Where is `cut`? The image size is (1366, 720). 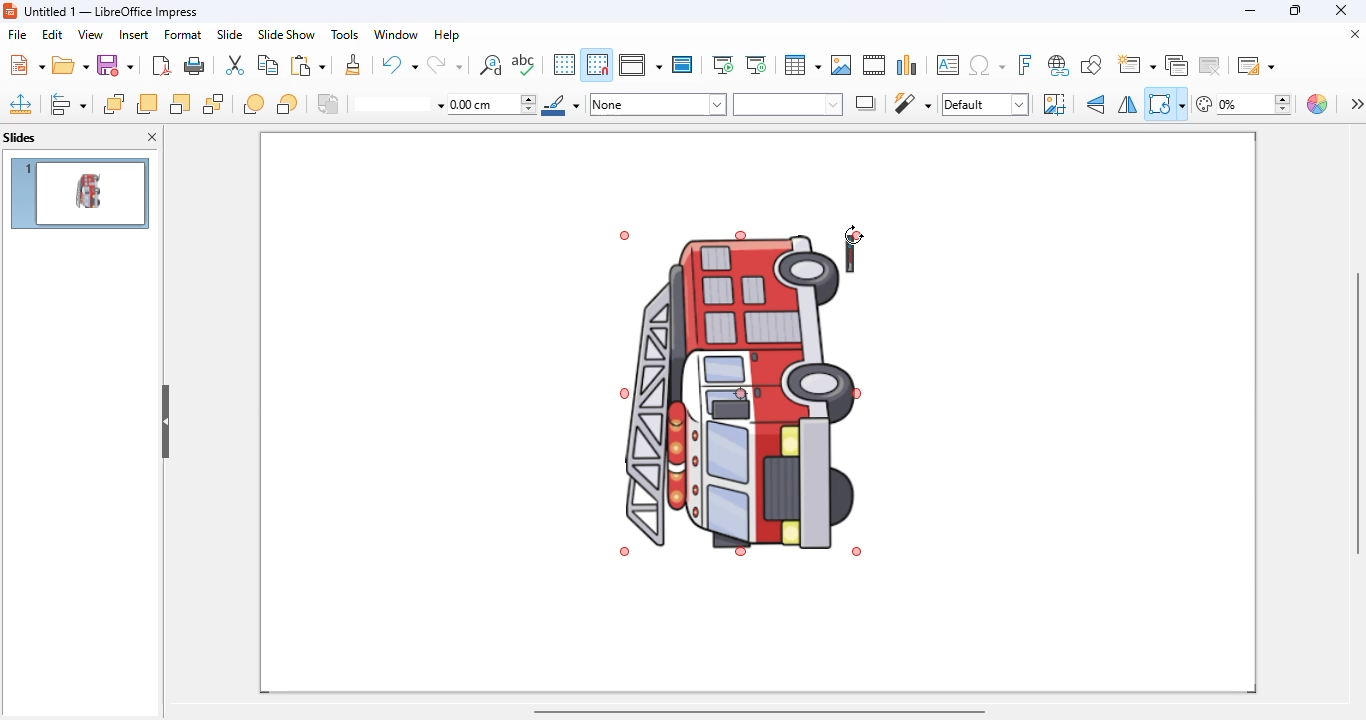
cut is located at coordinates (235, 65).